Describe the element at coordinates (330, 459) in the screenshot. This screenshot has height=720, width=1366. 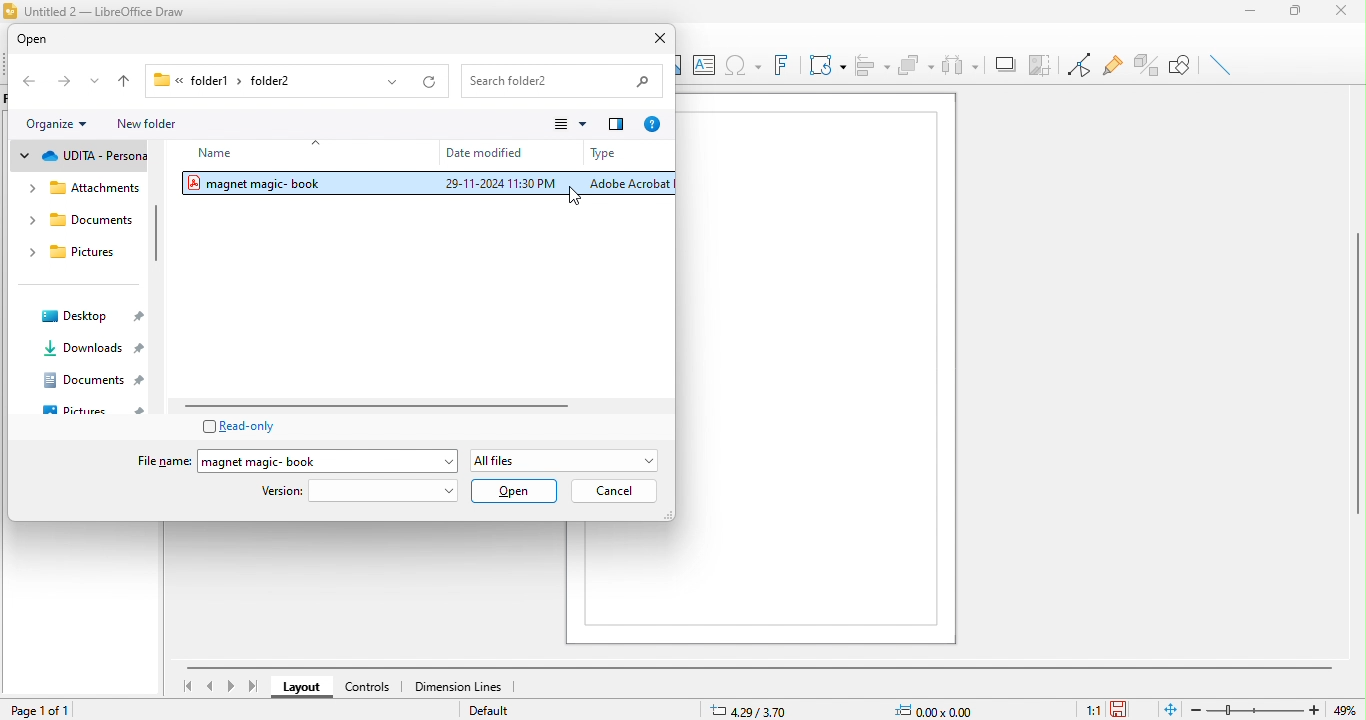
I see `File Name` at that location.